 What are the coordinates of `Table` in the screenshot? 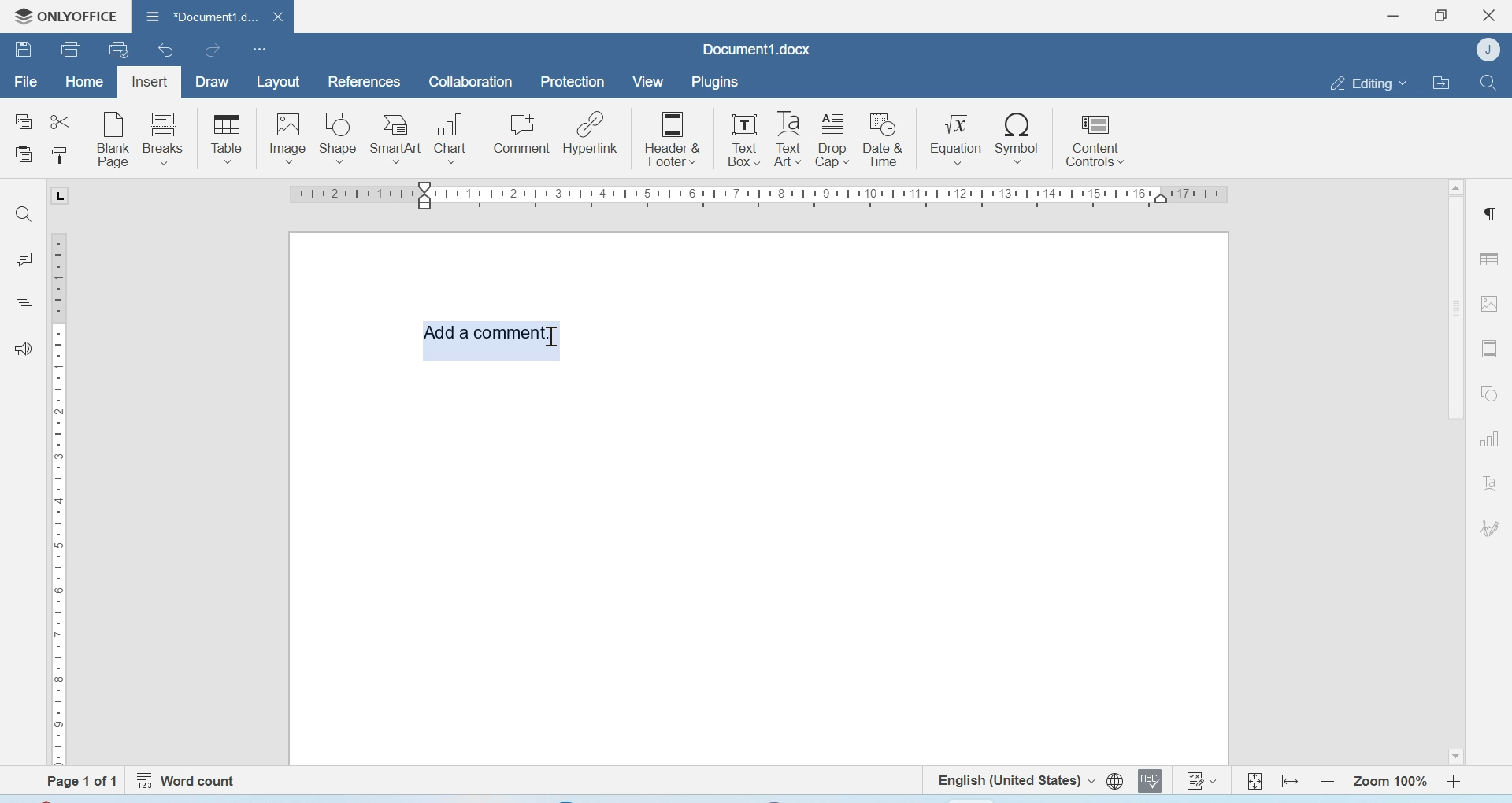 It's located at (1489, 258).